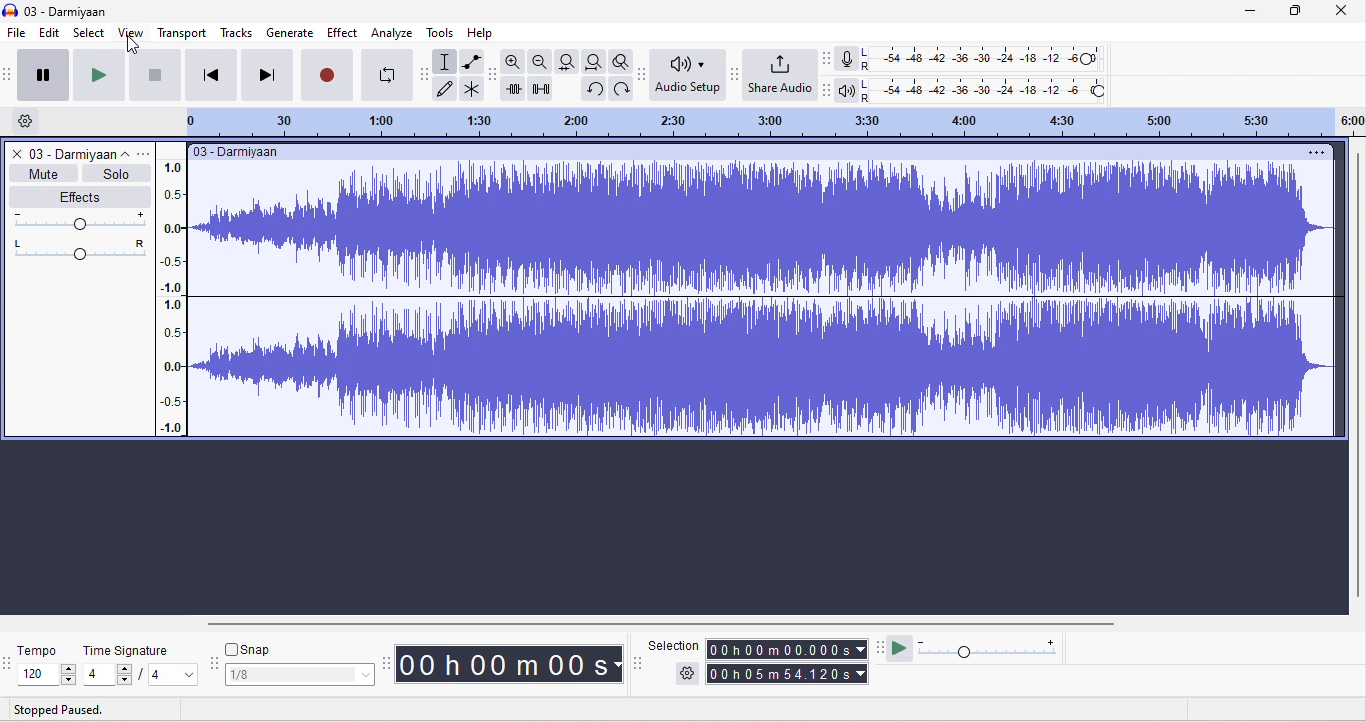 Image resolution: width=1366 pixels, height=722 pixels. Describe the element at coordinates (516, 89) in the screenshot. I see `trim outside selection` at that location.